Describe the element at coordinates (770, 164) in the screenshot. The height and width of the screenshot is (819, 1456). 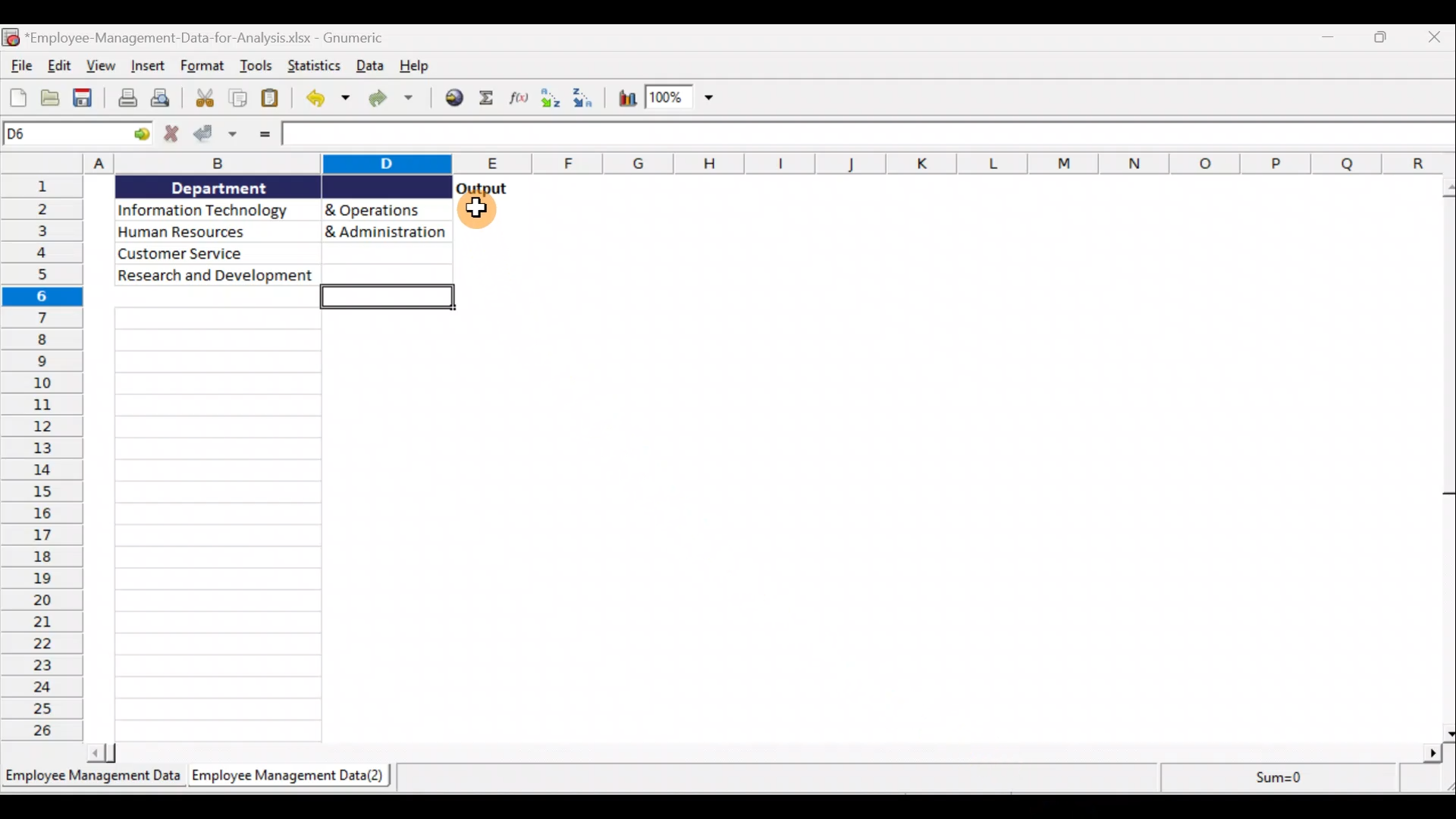
I see `Columns` at that location.